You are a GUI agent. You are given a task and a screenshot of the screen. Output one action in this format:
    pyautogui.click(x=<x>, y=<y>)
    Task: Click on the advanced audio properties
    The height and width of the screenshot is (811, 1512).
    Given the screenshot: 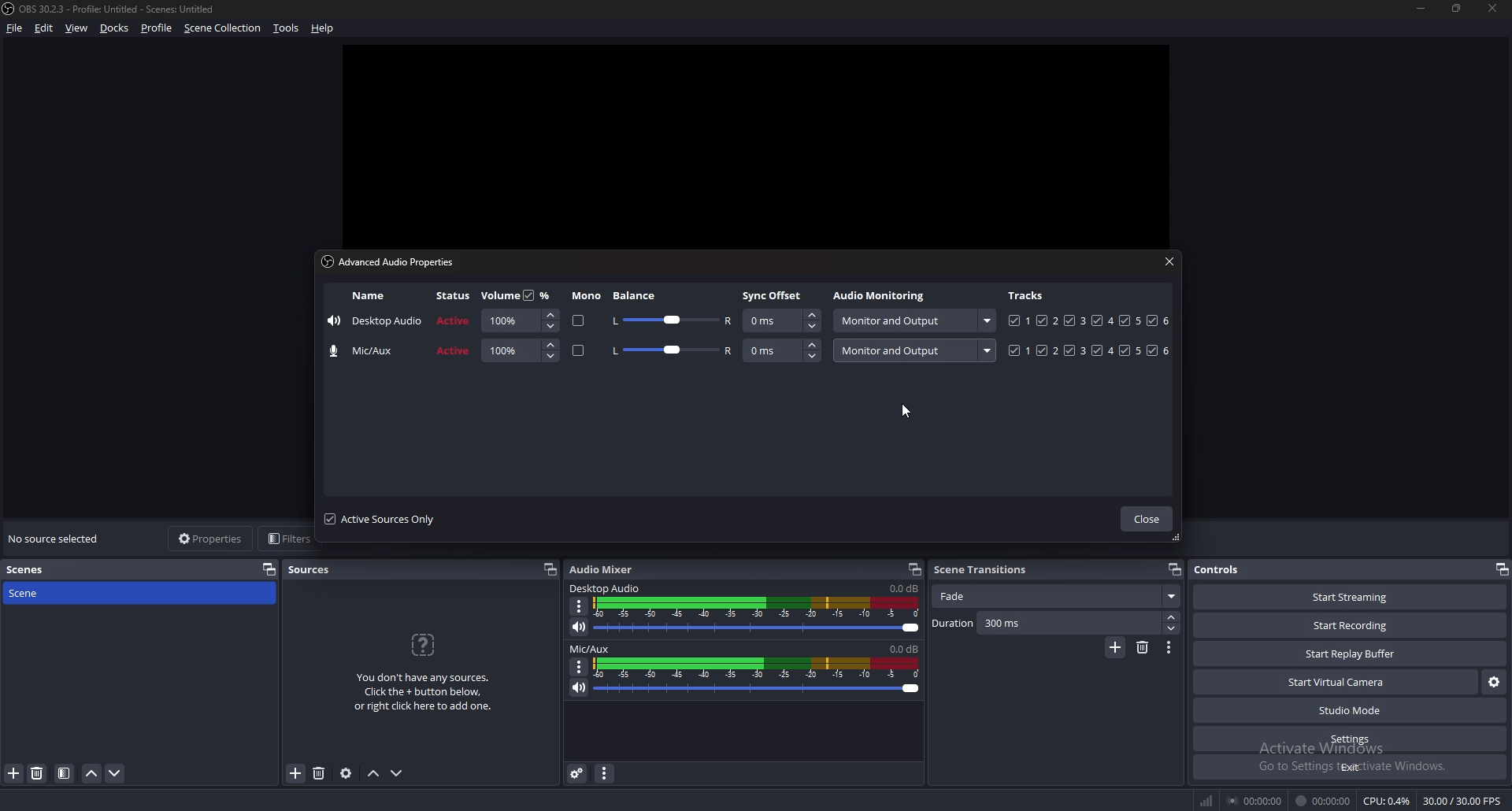 What is the action you would take?
    pyautogui.click(x=579, y=774)
    